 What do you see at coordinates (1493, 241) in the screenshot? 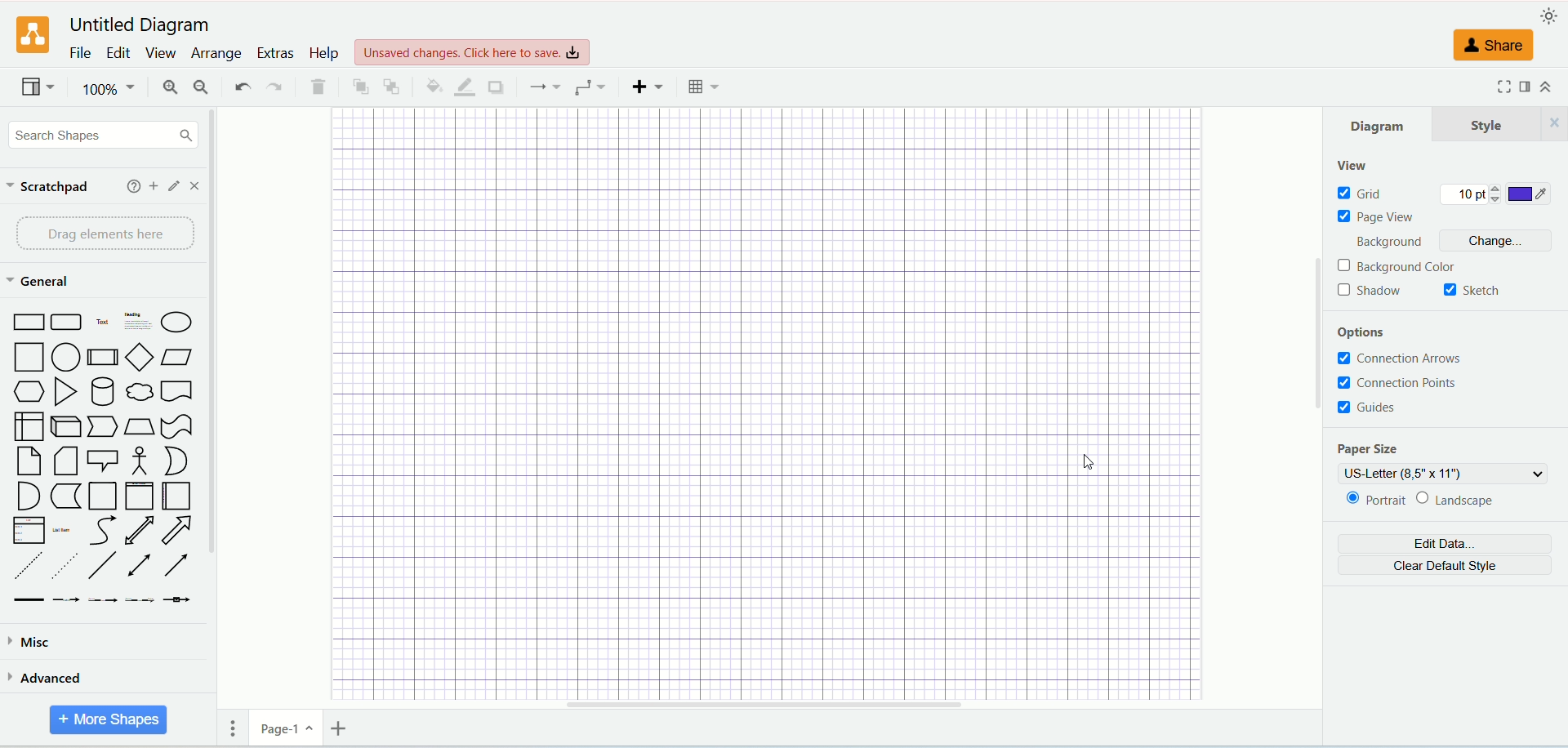
I see `change` at bounding box center [1493, 241].